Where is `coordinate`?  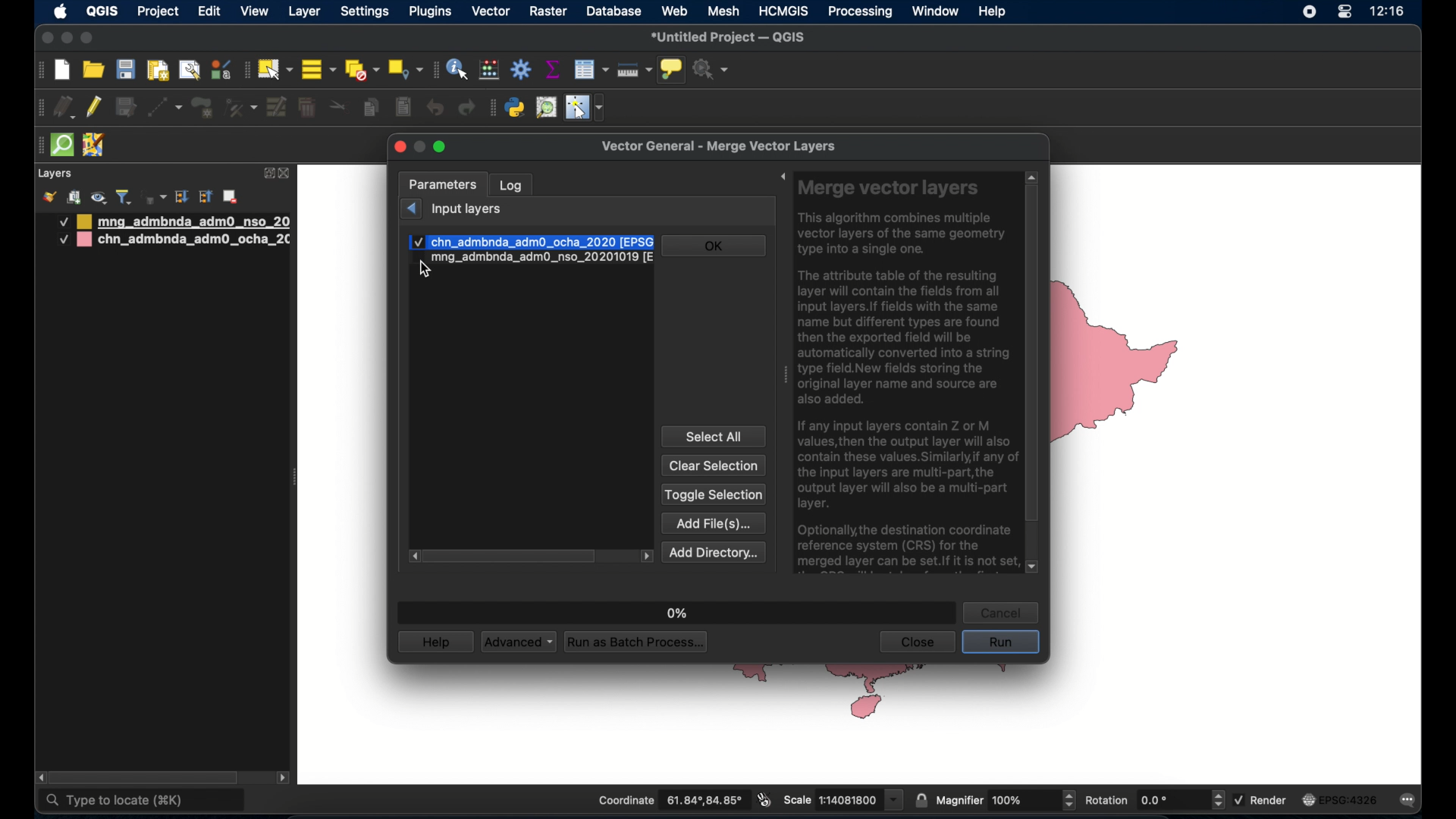 coordinate is located at coordinates (670, 801).